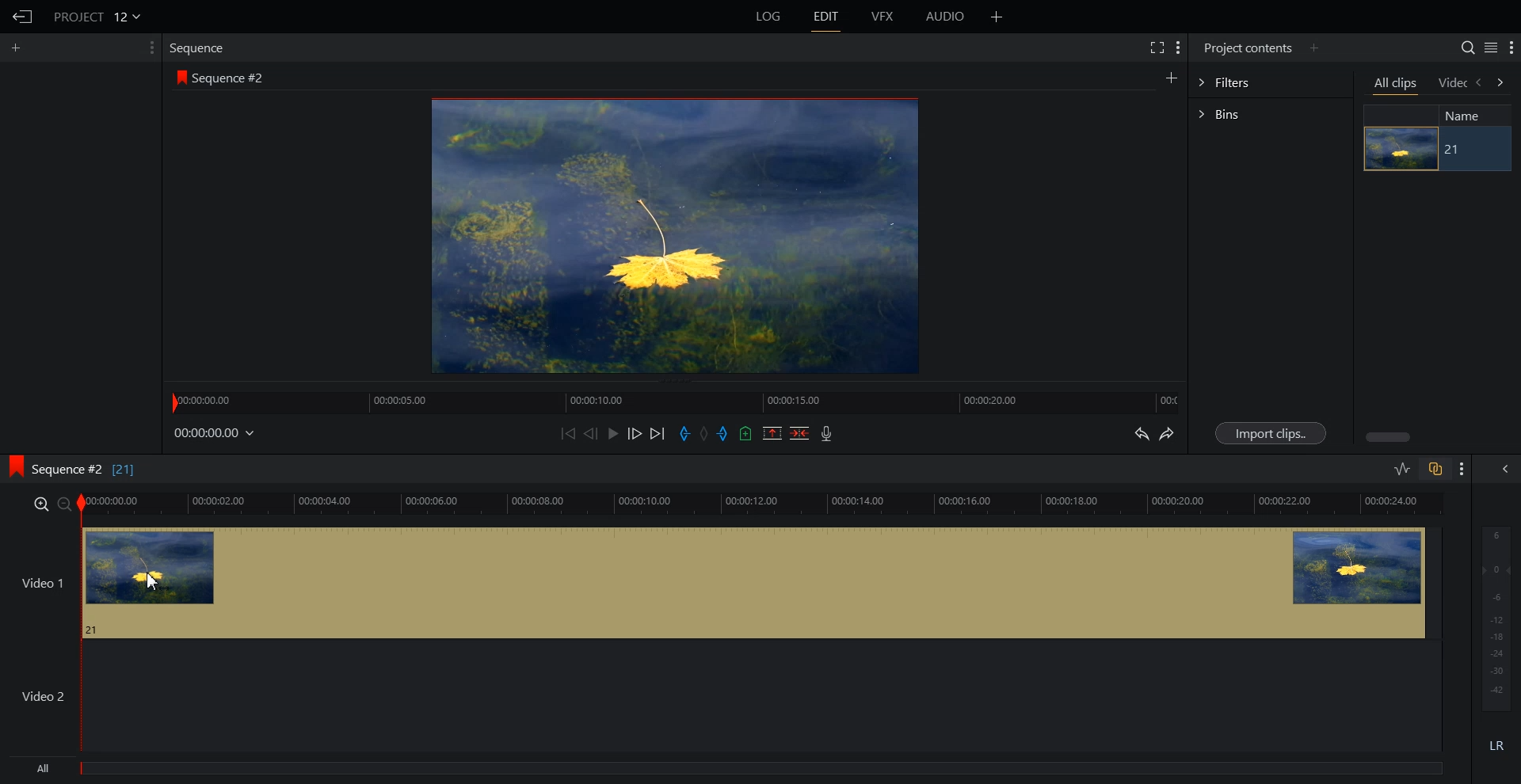 This screenshot has height=784, width=1521. Describe the element at coordinates (215, 433) in the screenshot. I see `File Time` at that location.